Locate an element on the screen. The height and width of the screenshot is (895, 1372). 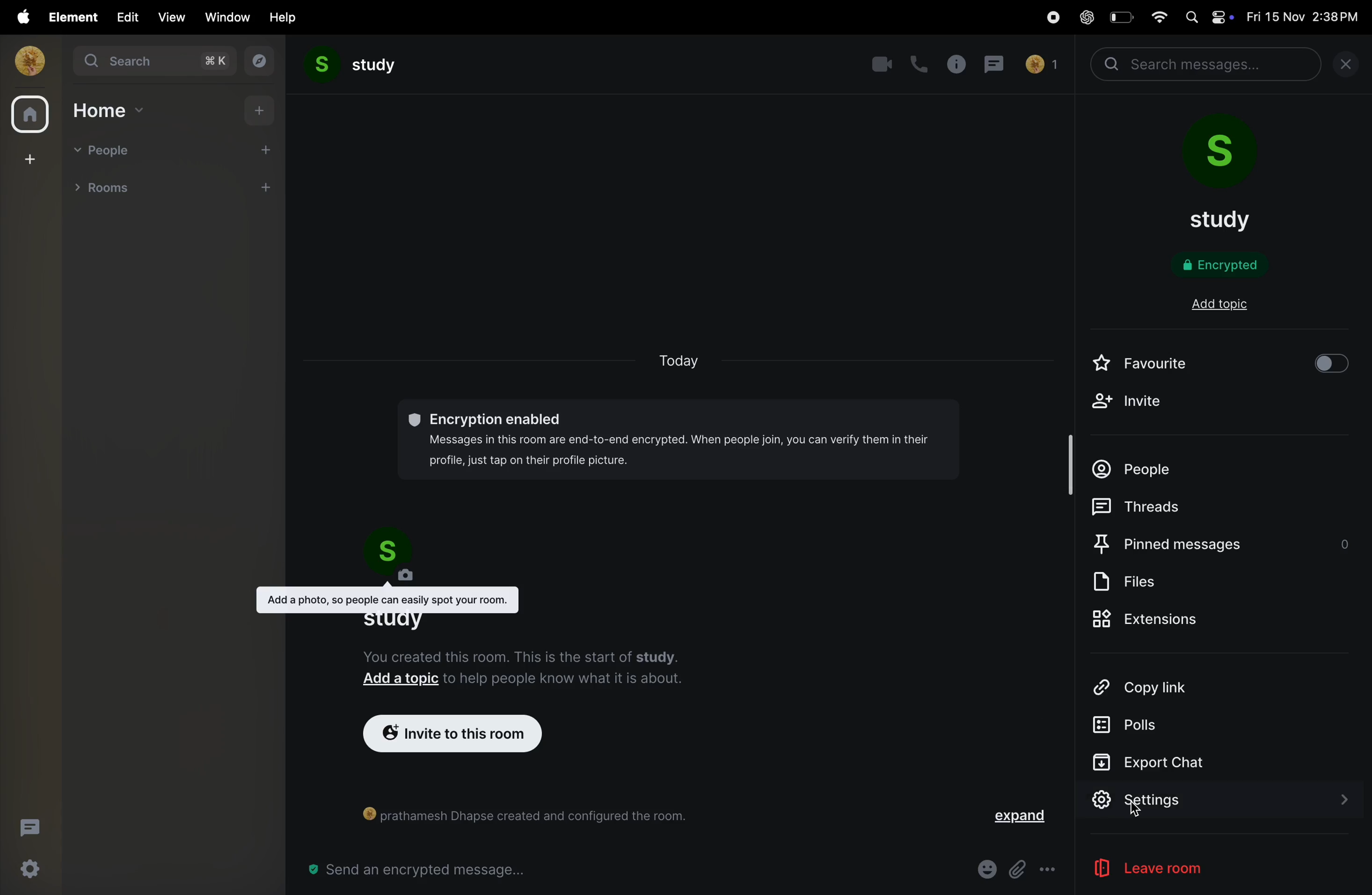
to help people know what it is about. is located at coordinates (565, 681).